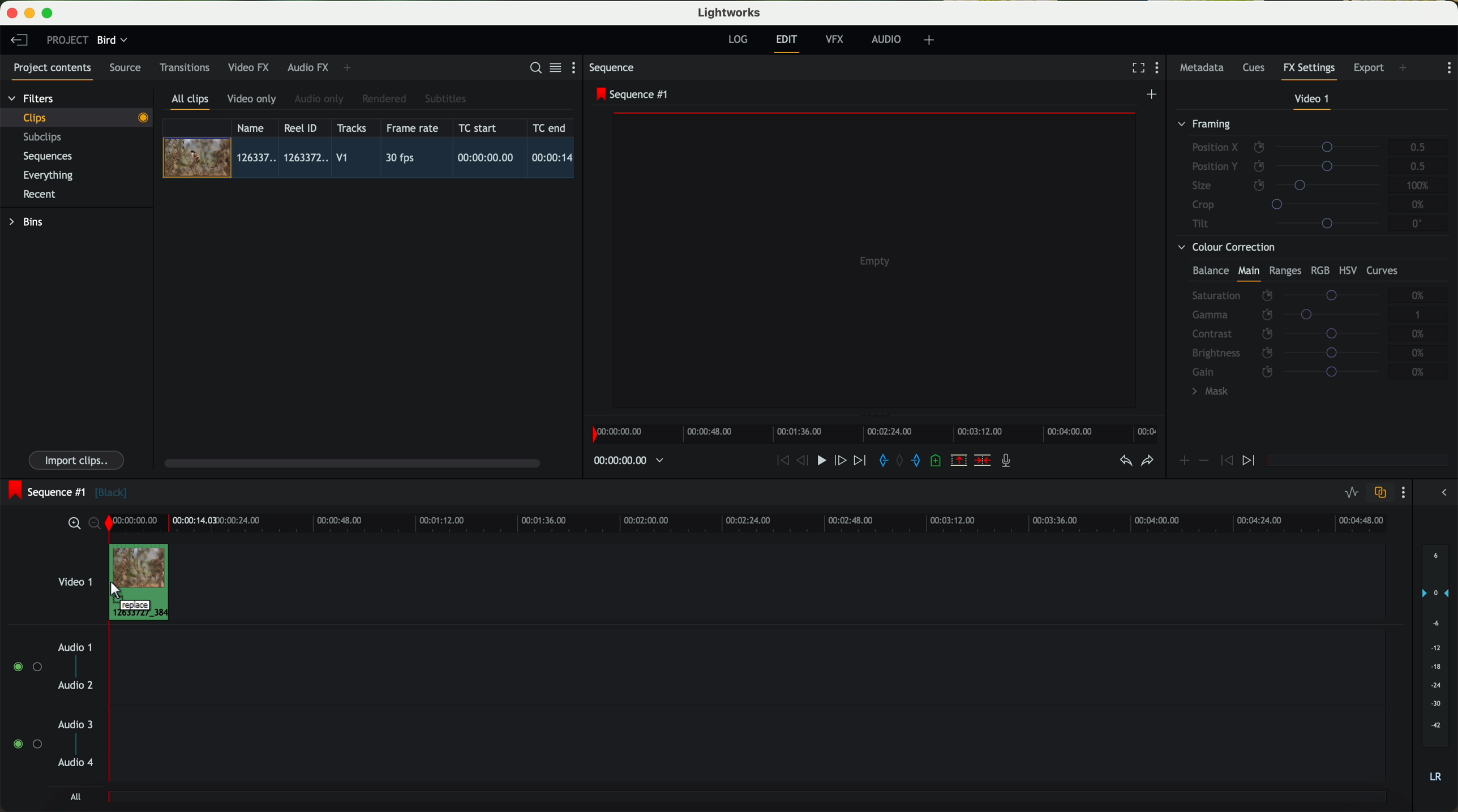  Describe the element at coordinates (1010, 462) in the screenshot. I see `record a voice-over` at that location.